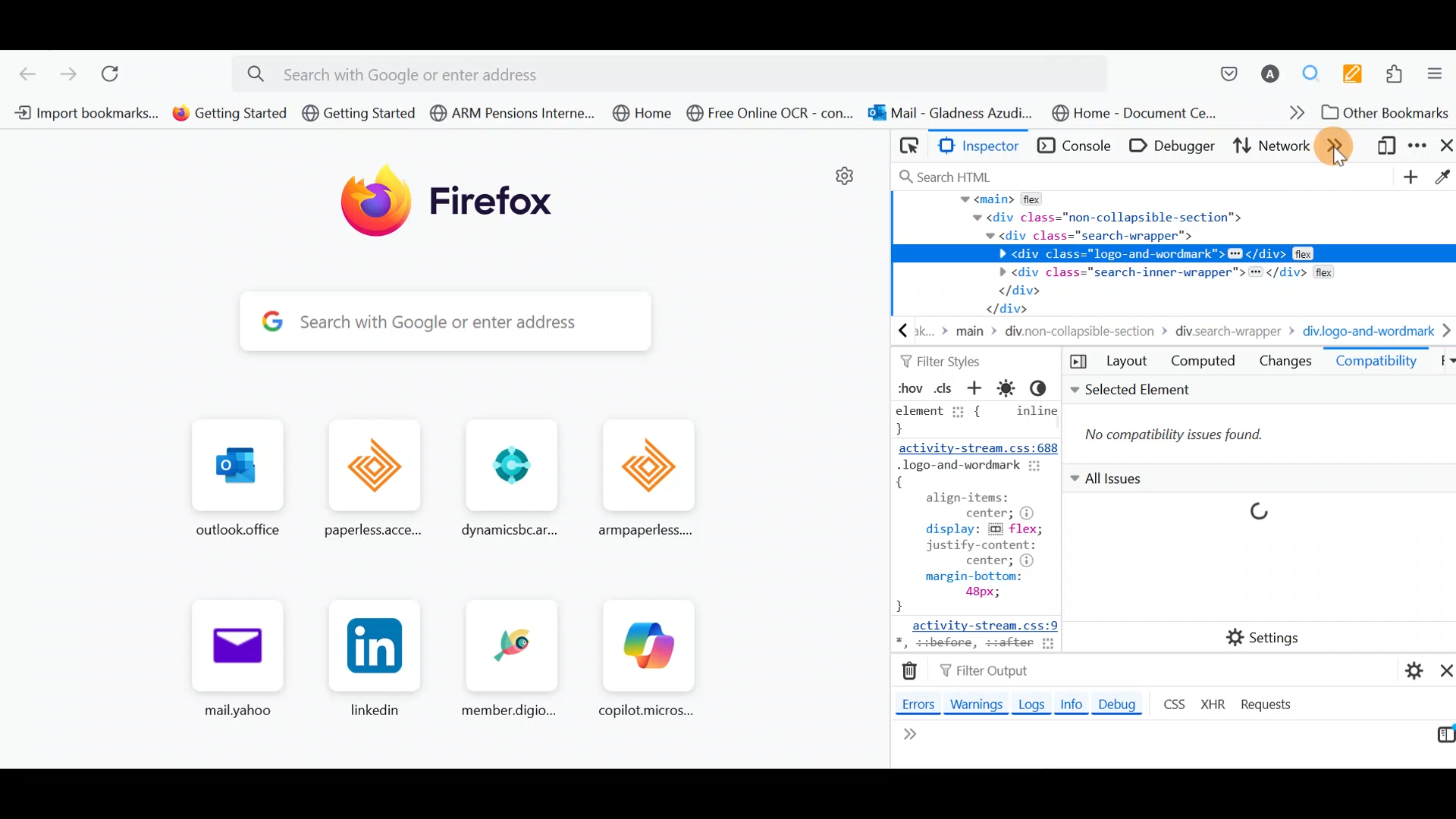  I want to click on Requests, so click(1268, 705).